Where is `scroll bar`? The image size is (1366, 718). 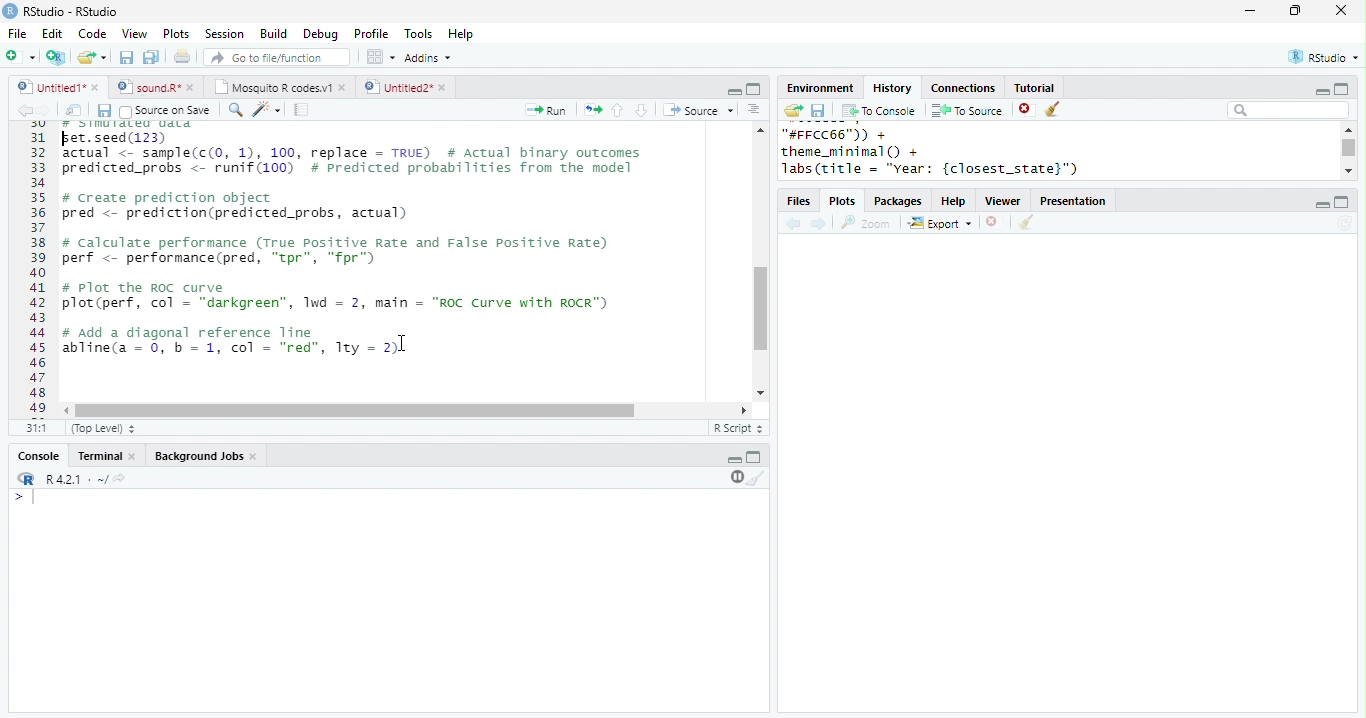
scroll bar is located at coordinates (761, 309).